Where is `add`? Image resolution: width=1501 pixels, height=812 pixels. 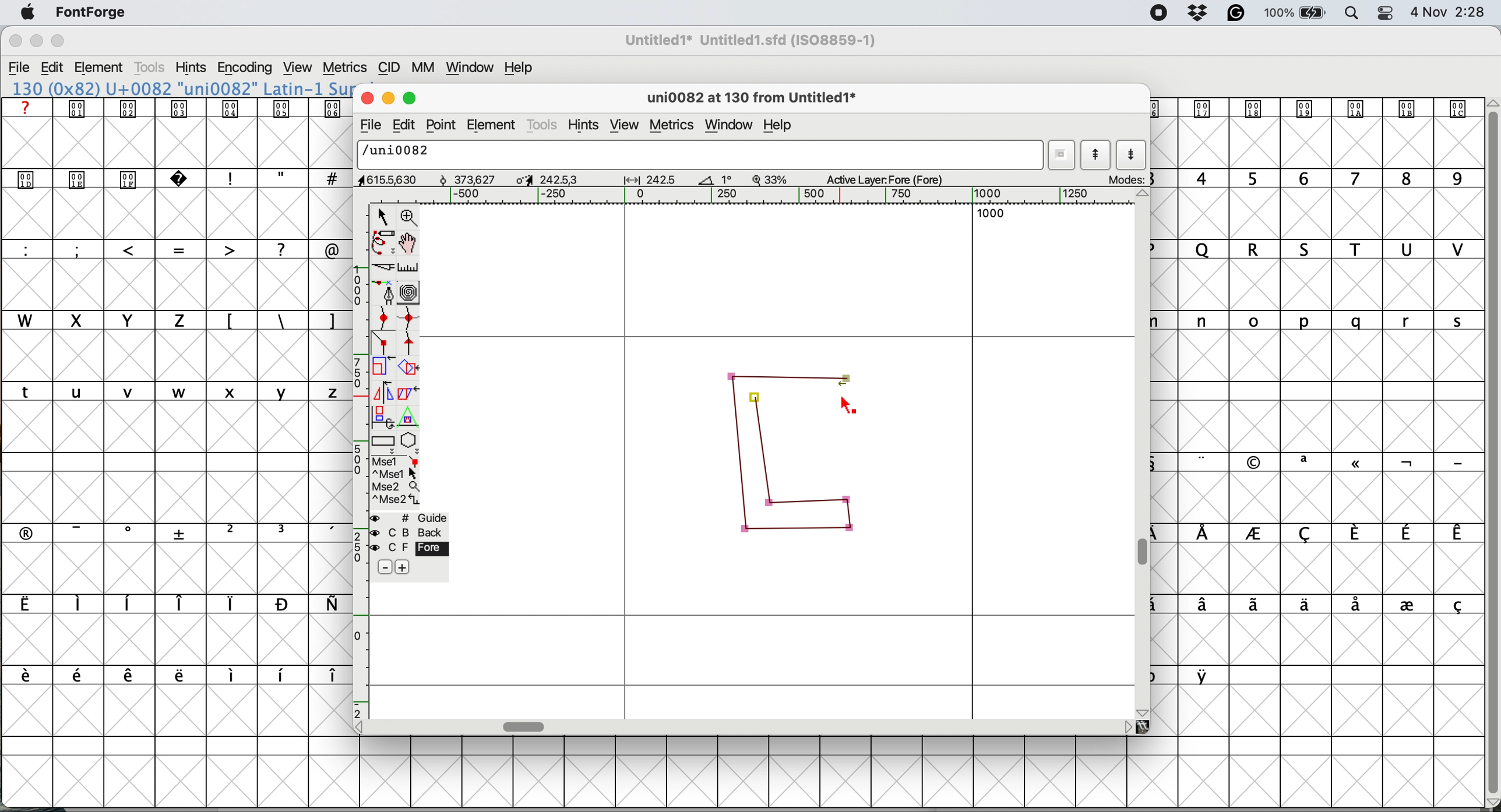 add is located at coordinates (401, 567).